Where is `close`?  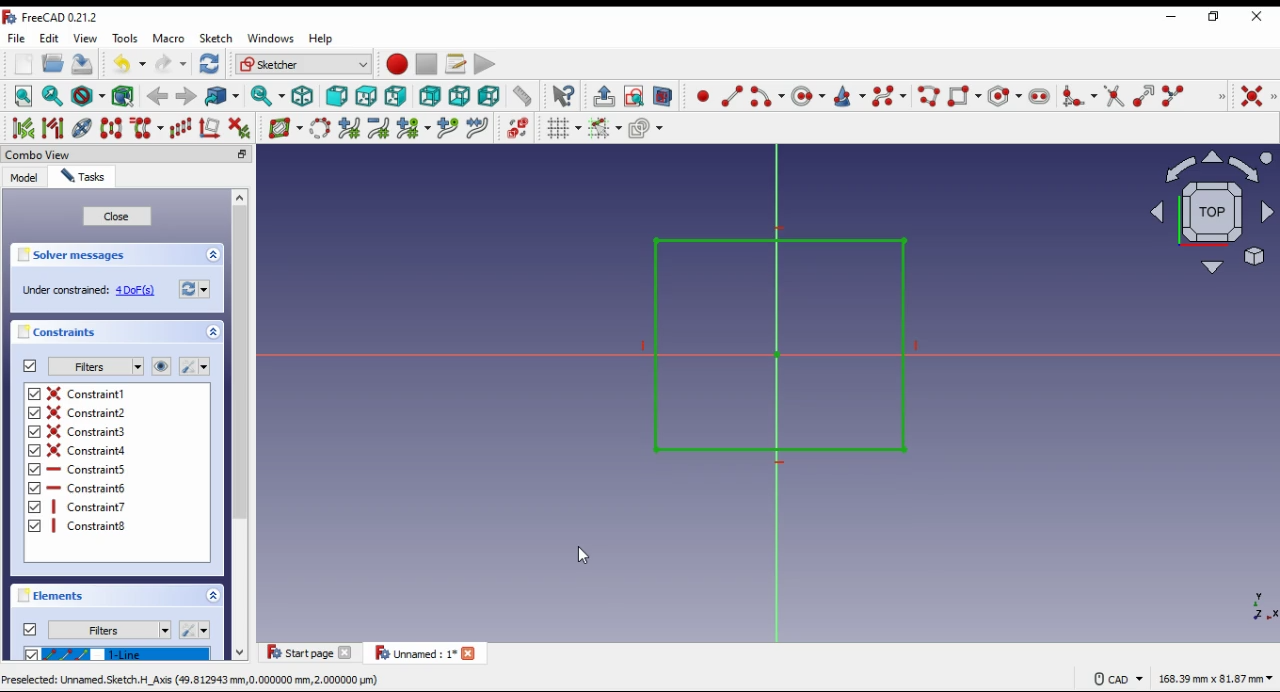
close is located at coordinates (117, 217).